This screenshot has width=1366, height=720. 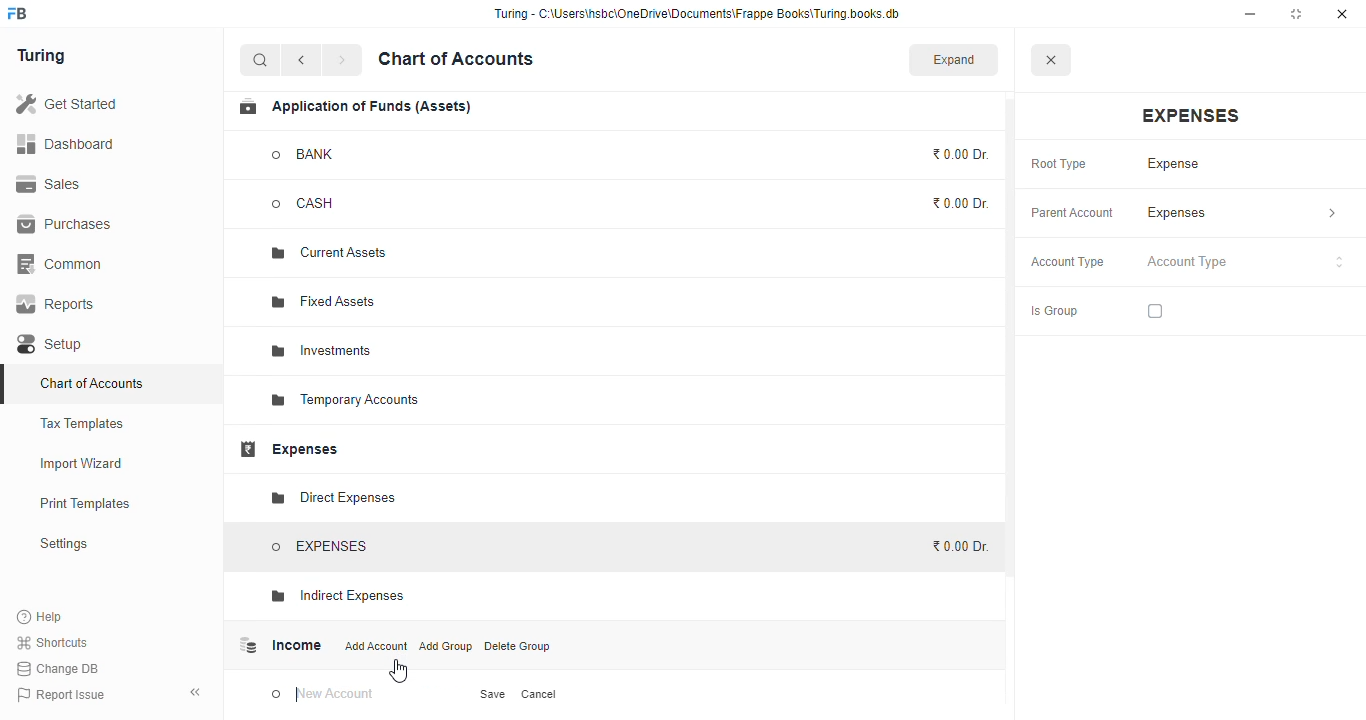 What do you see at coordinates (342, 60) in the screenshot?
I see `forward` at bounding box center [342, 60].